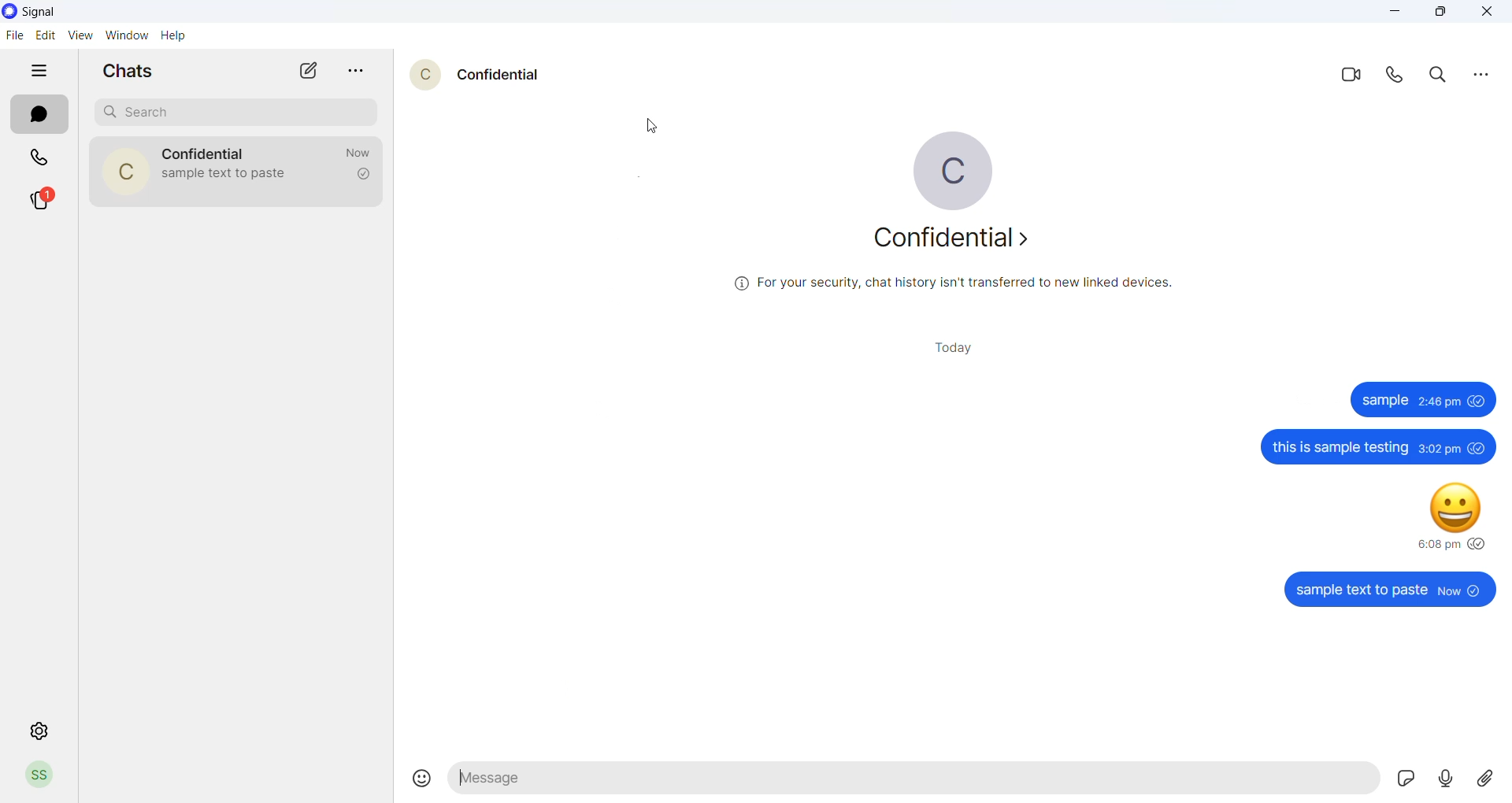 The width and height of the screenshot is (1512, 803). What do you see at coordinates (1364, 446) in the screenshot?
I see `this is sample testing` at bounding box center [1364, 446].